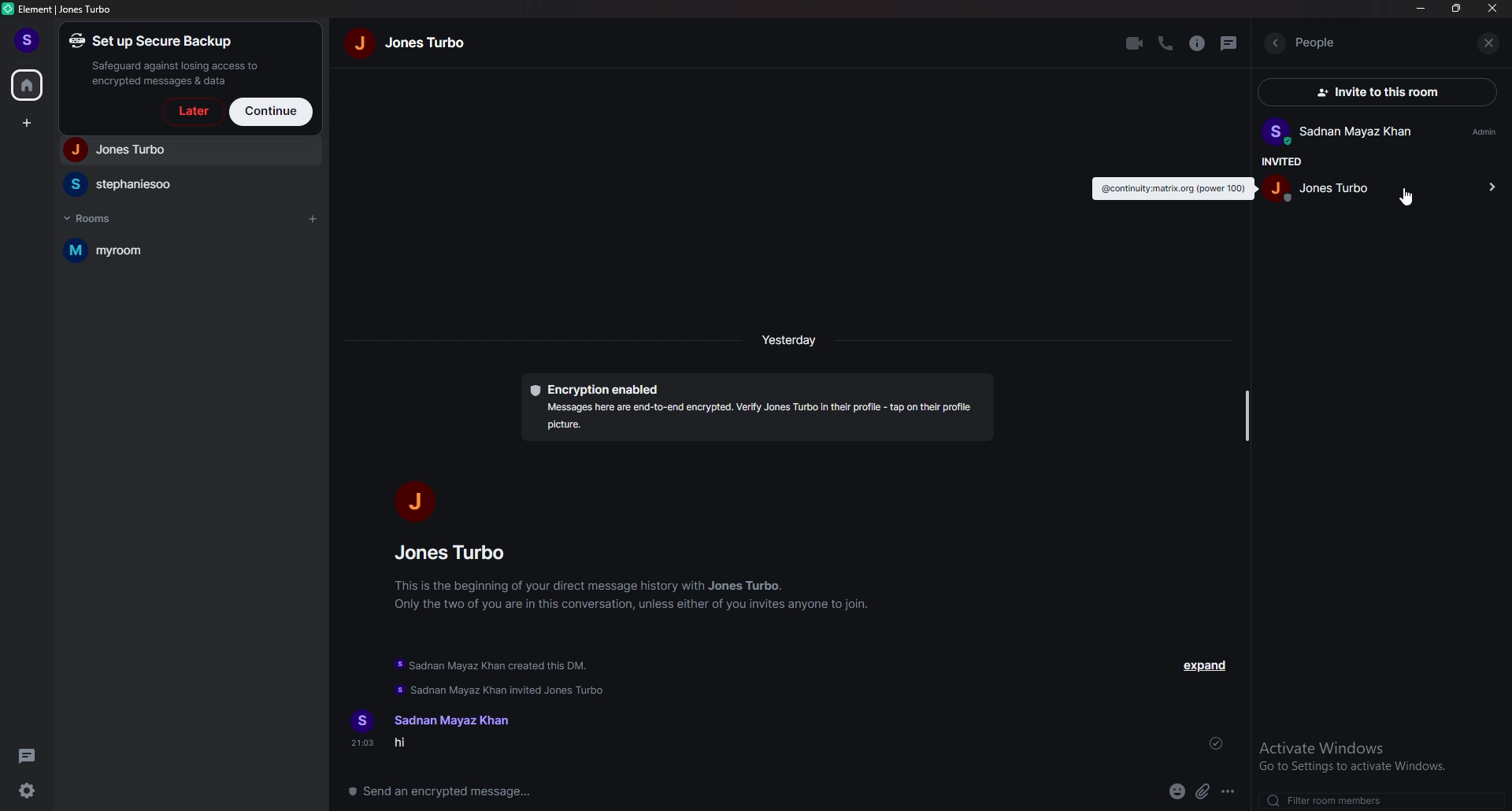  I want to click on encryption description, so click(757, 409).